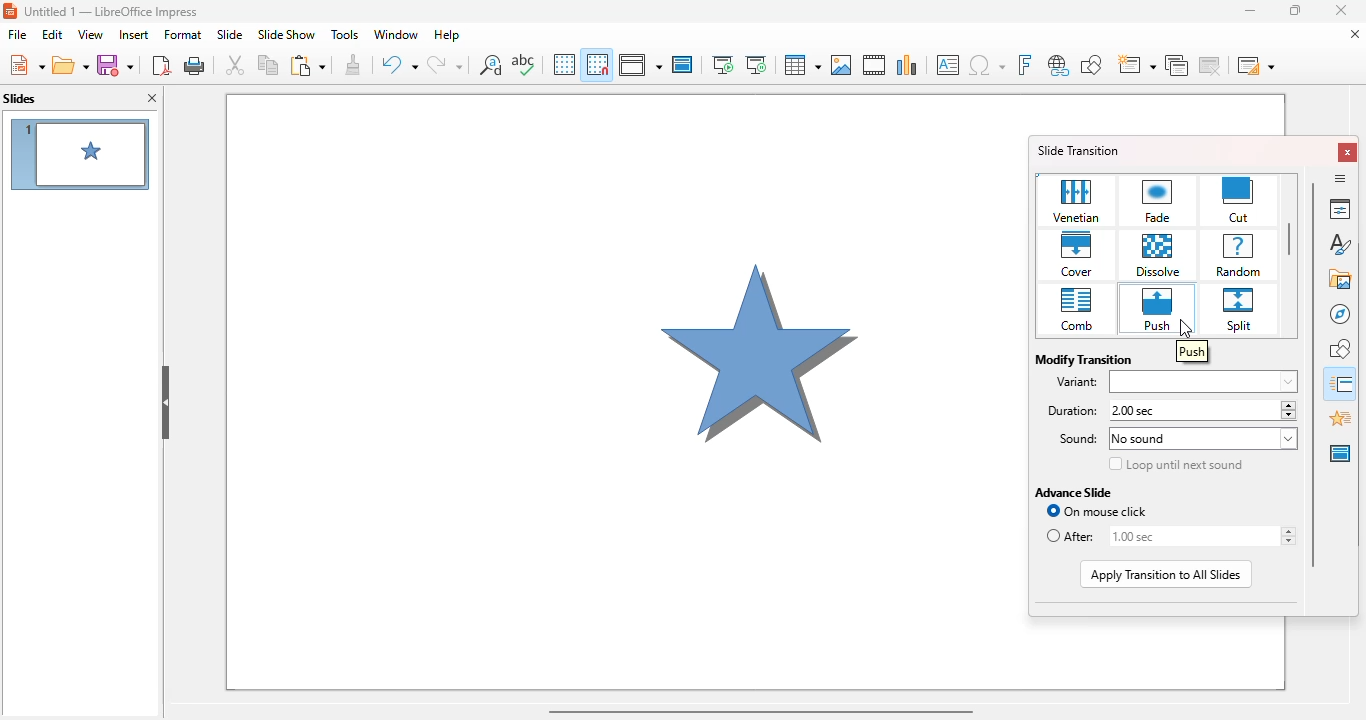  I want to click on slide 1, so click(79, 154).